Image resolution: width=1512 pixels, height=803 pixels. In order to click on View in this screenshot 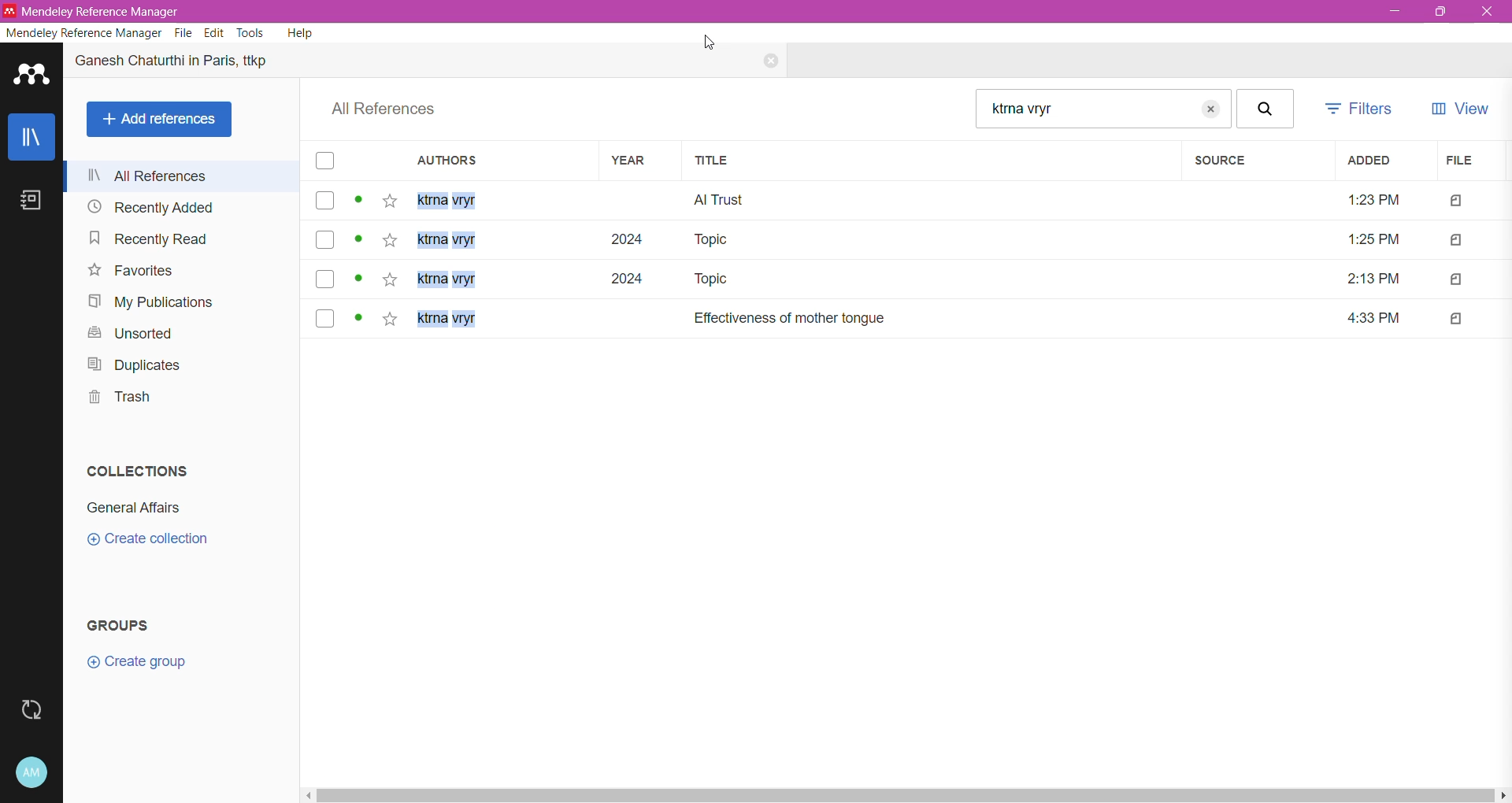, I will do `click(1458, 111)`.